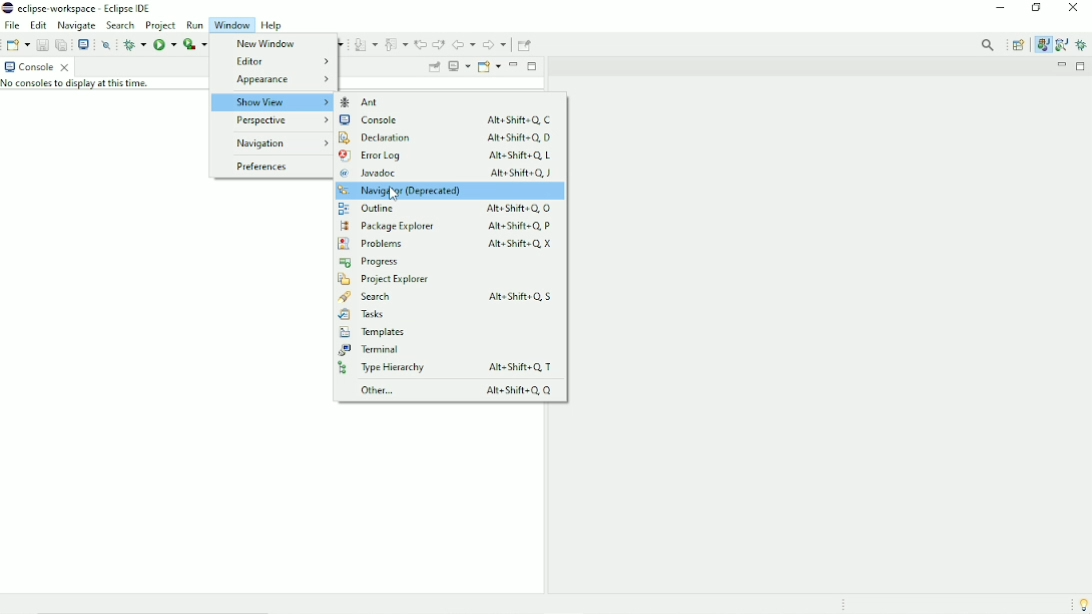 This screenshot has width=1092, height=614. Describe the element at coordinates (1074, 11) in the screenshot. I see `Close` at that location.